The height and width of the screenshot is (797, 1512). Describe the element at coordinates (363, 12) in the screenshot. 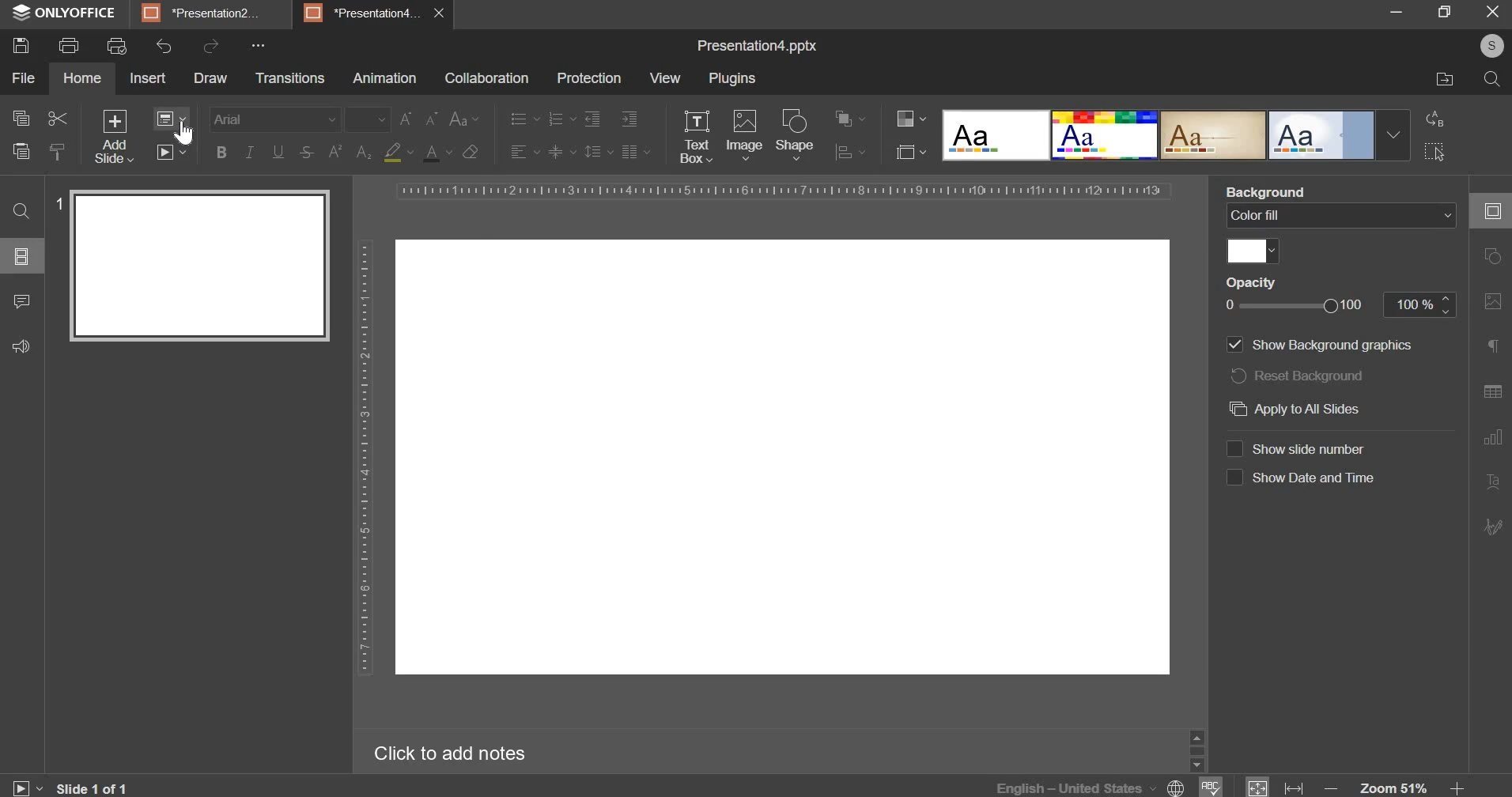

I see `presentation4...` at that location.